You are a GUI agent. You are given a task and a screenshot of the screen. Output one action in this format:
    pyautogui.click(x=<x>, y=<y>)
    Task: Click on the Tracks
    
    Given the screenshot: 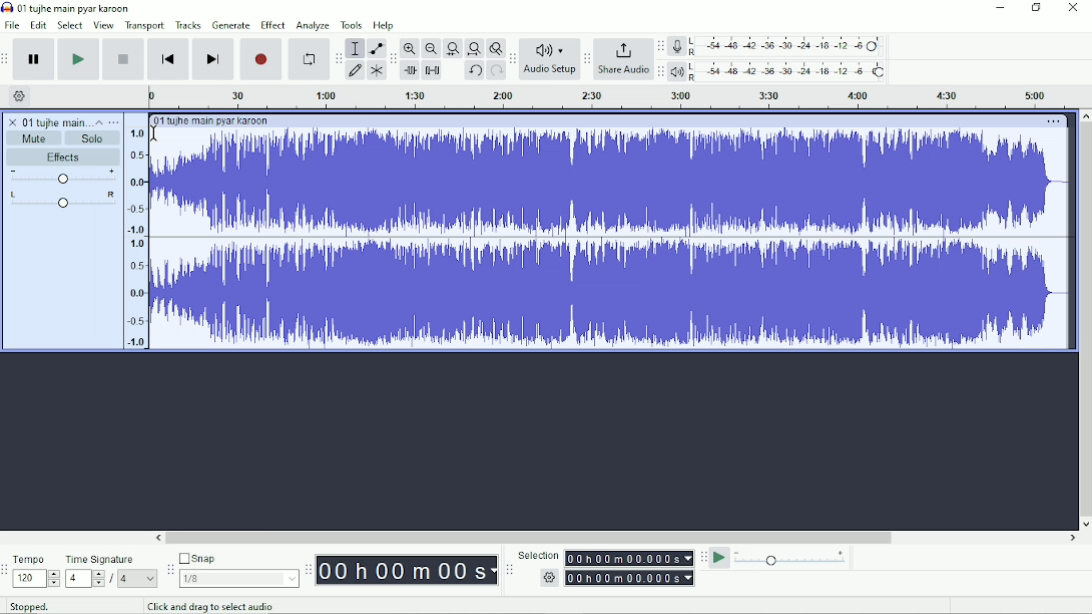 What is the action you would take?
    pyautogui.click(x=188, y=25)
    